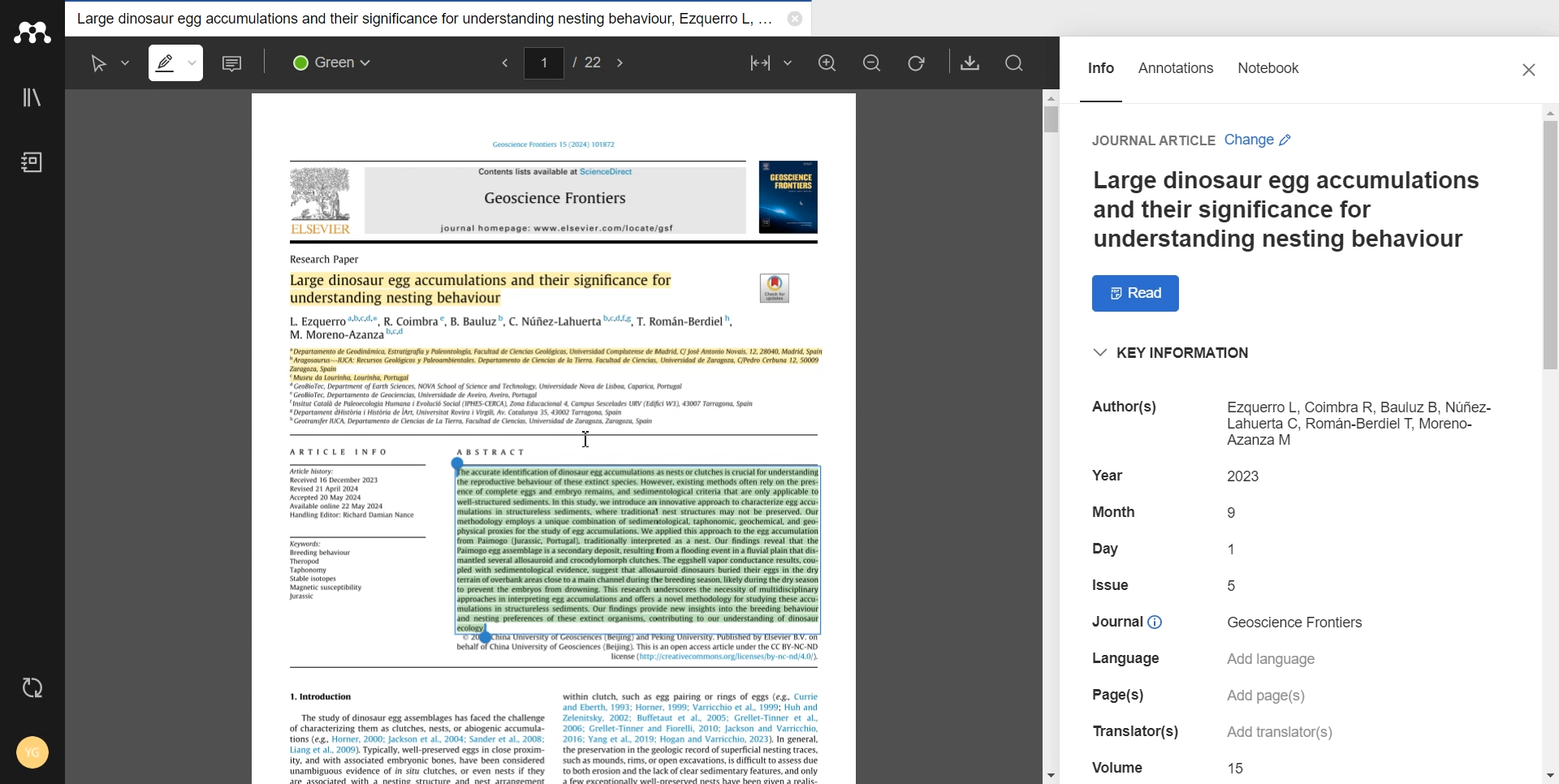  I want to click on Download, so click(970, 62).